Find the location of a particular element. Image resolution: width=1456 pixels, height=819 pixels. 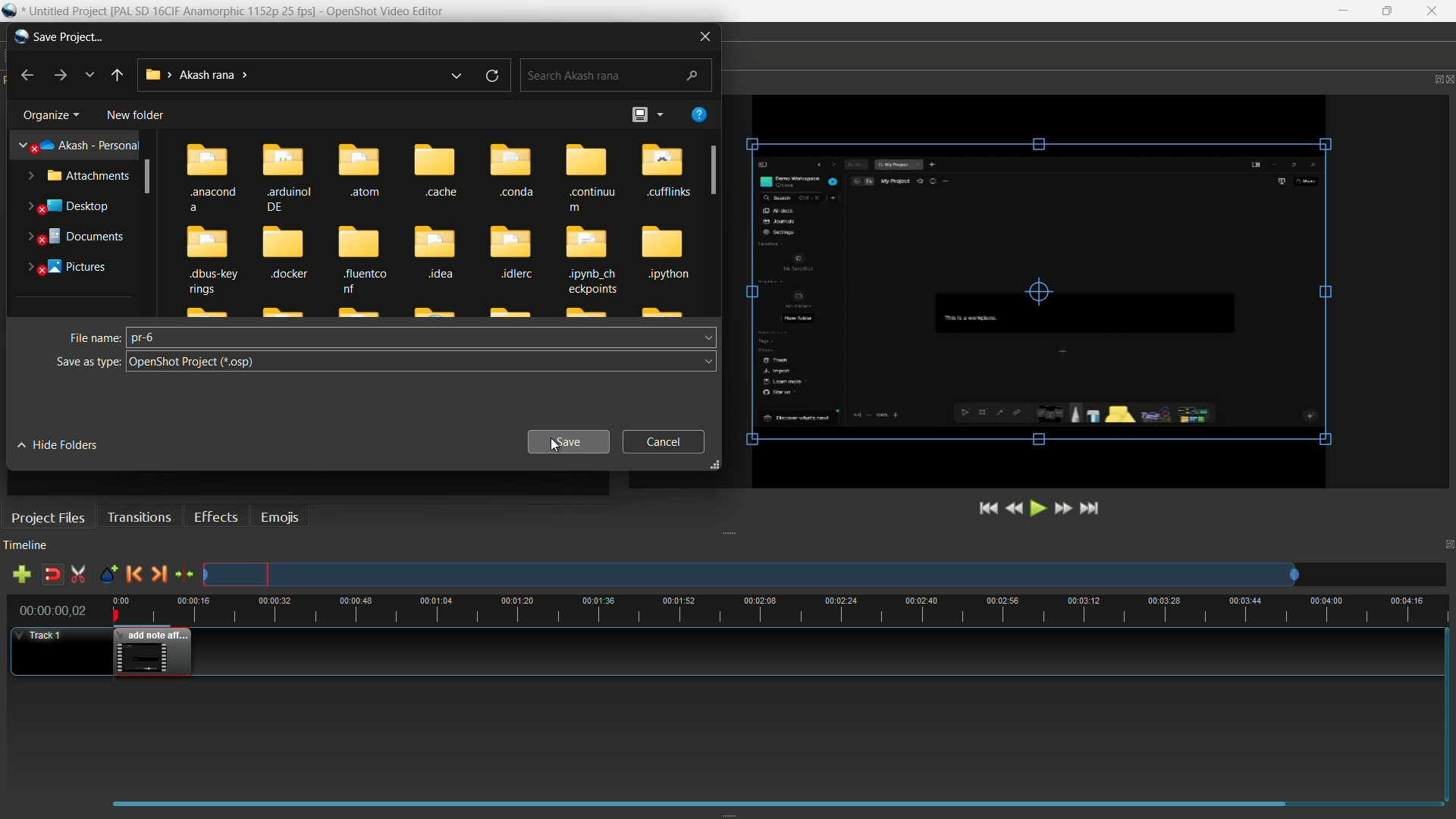

attachments is located at coordinates (80, 177).